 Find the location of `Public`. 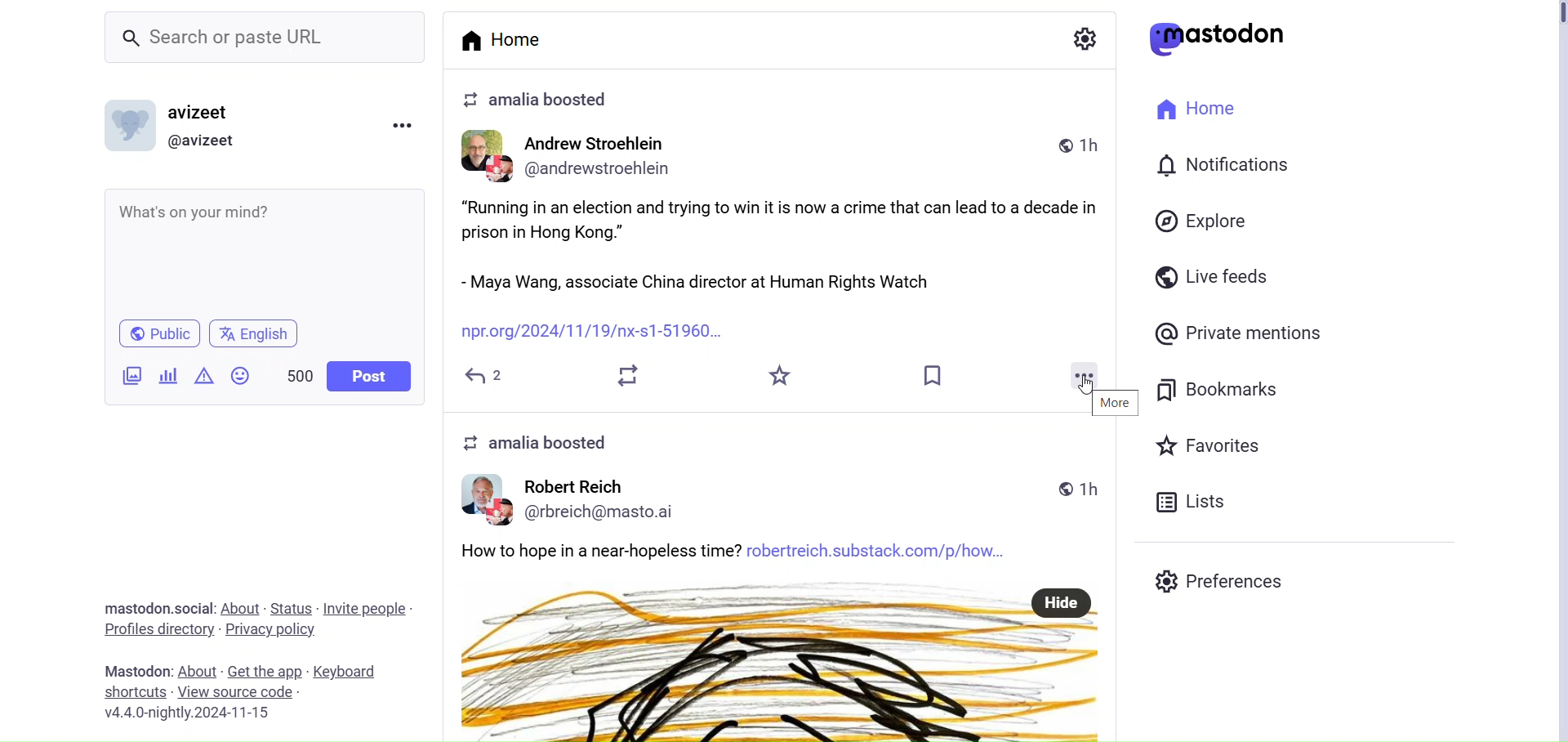

Public is located at coordinates (157, 333).